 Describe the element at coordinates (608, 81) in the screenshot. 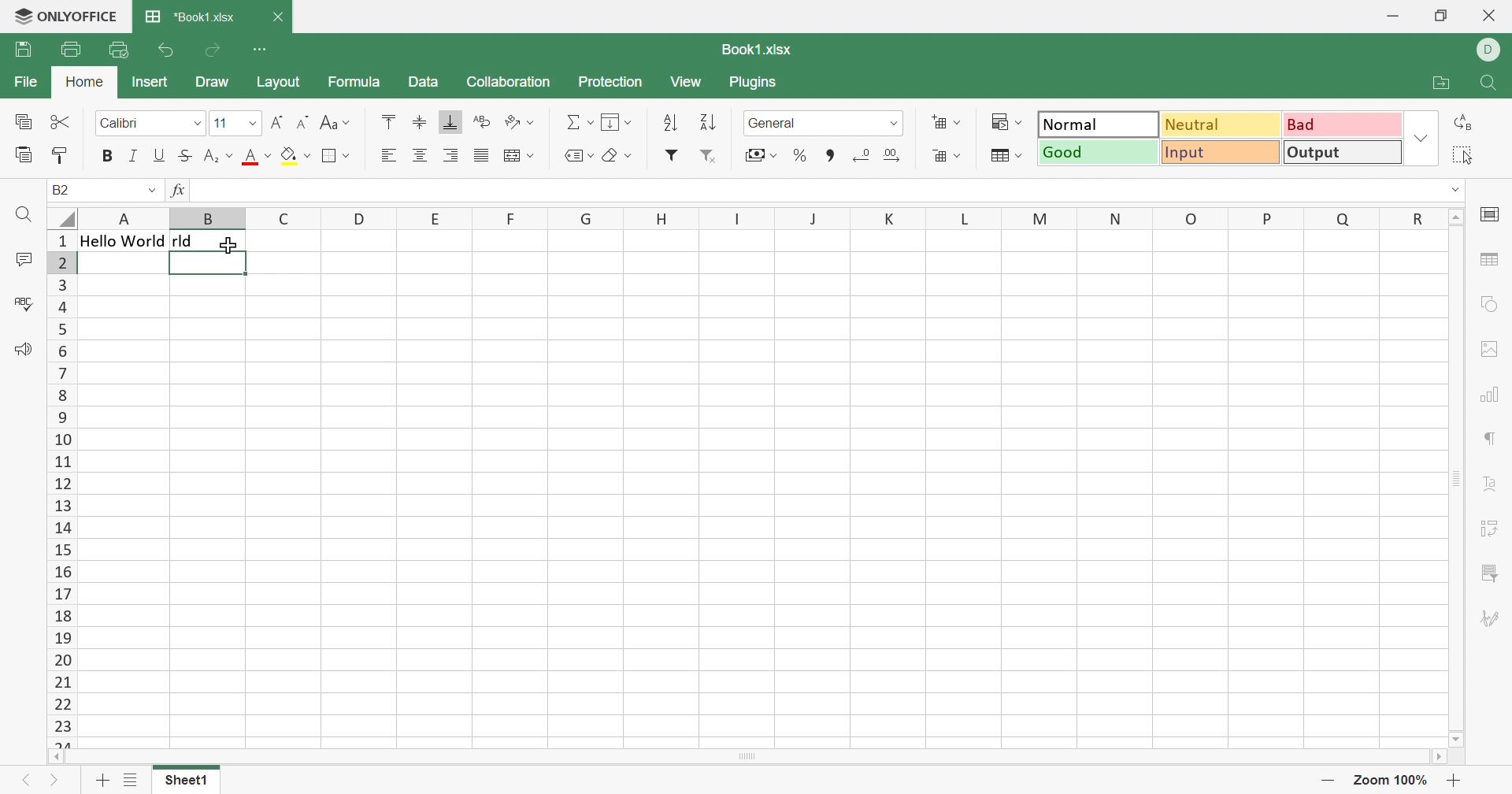

I see `Protection` at that location.